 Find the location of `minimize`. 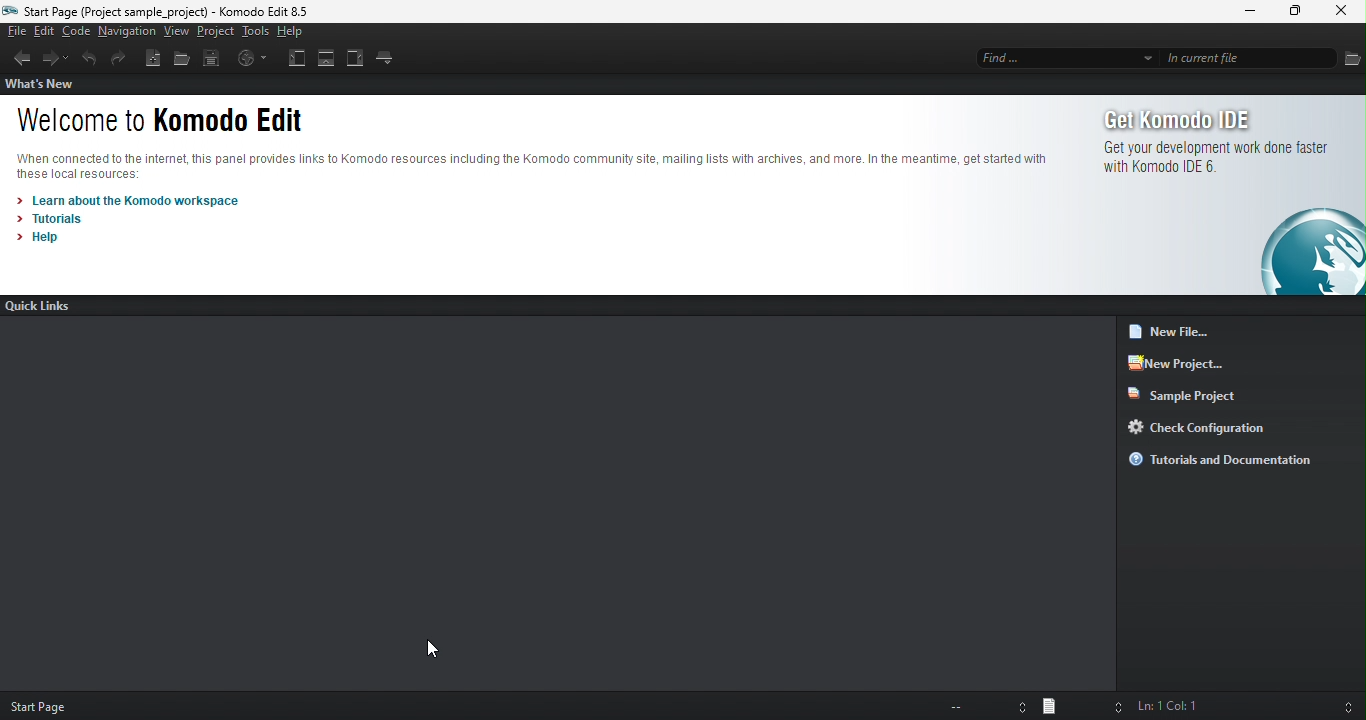

minimize is located at coordinates (1255, 11).